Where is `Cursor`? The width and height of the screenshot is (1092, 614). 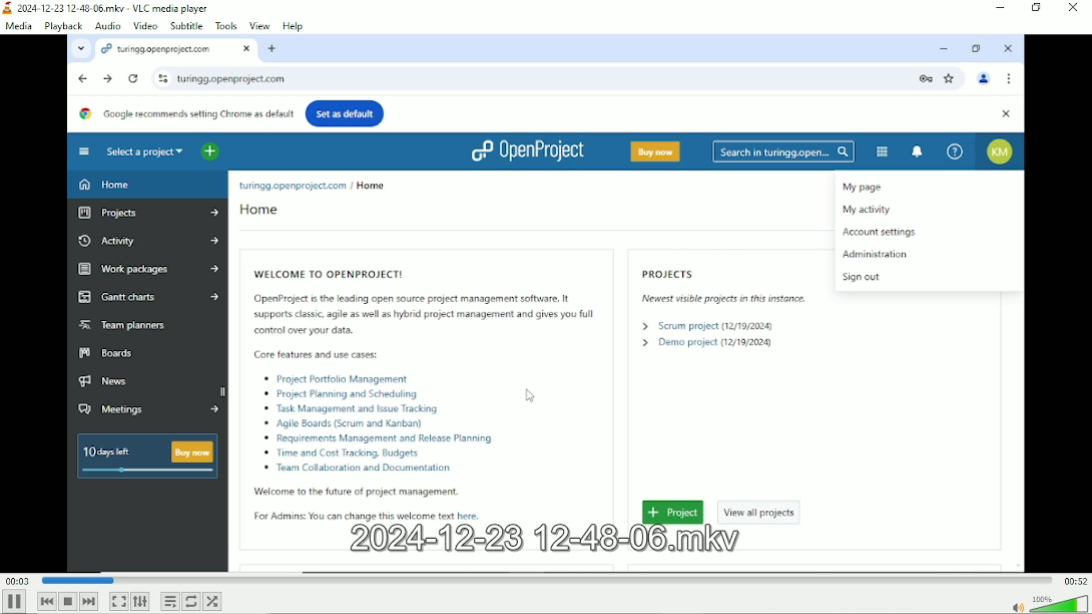 Cursor is located at coordinates (530, 397).